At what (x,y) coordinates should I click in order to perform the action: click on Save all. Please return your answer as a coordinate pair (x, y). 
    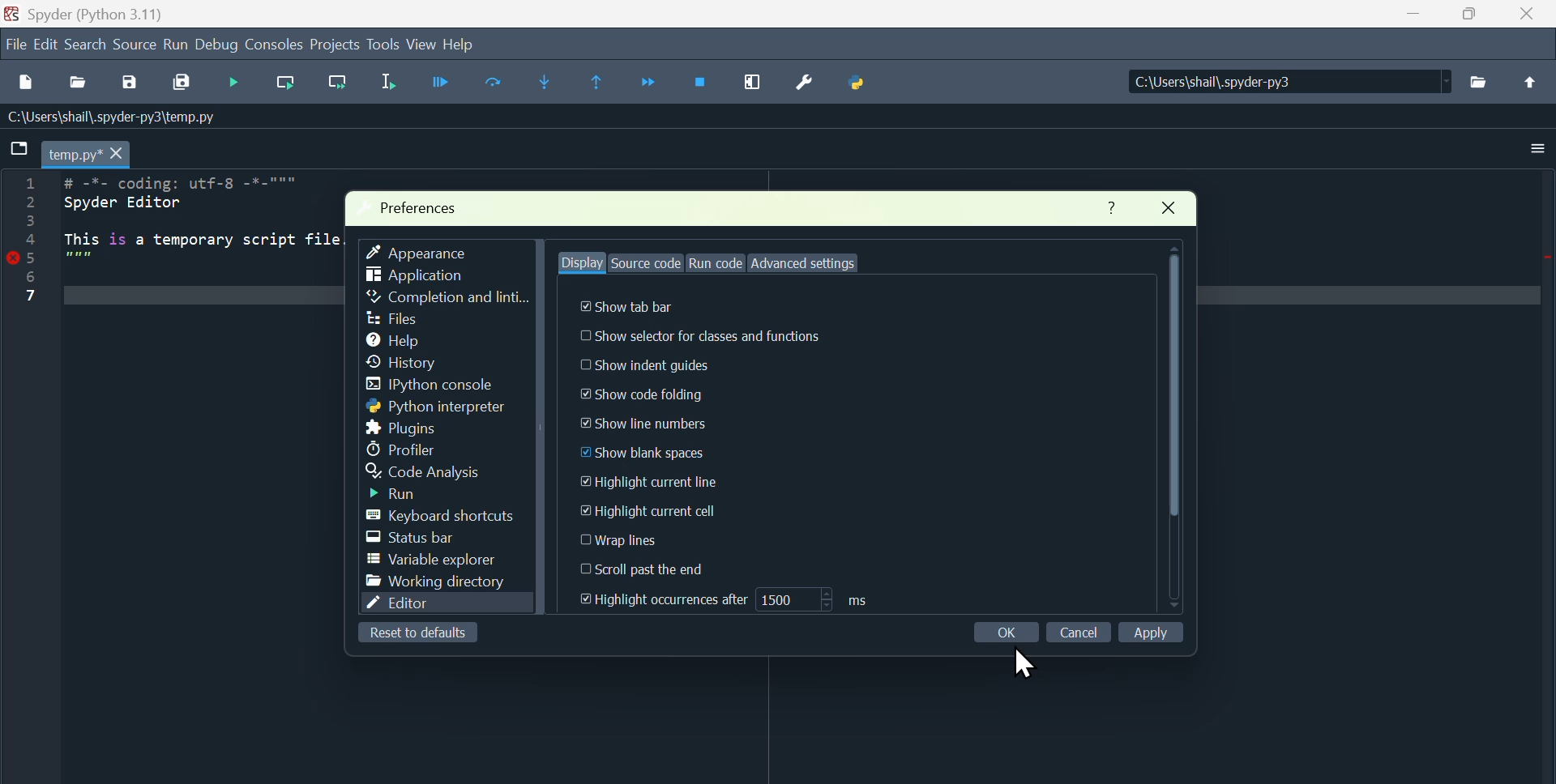
    Looking at the image, I should click on (182, 86).